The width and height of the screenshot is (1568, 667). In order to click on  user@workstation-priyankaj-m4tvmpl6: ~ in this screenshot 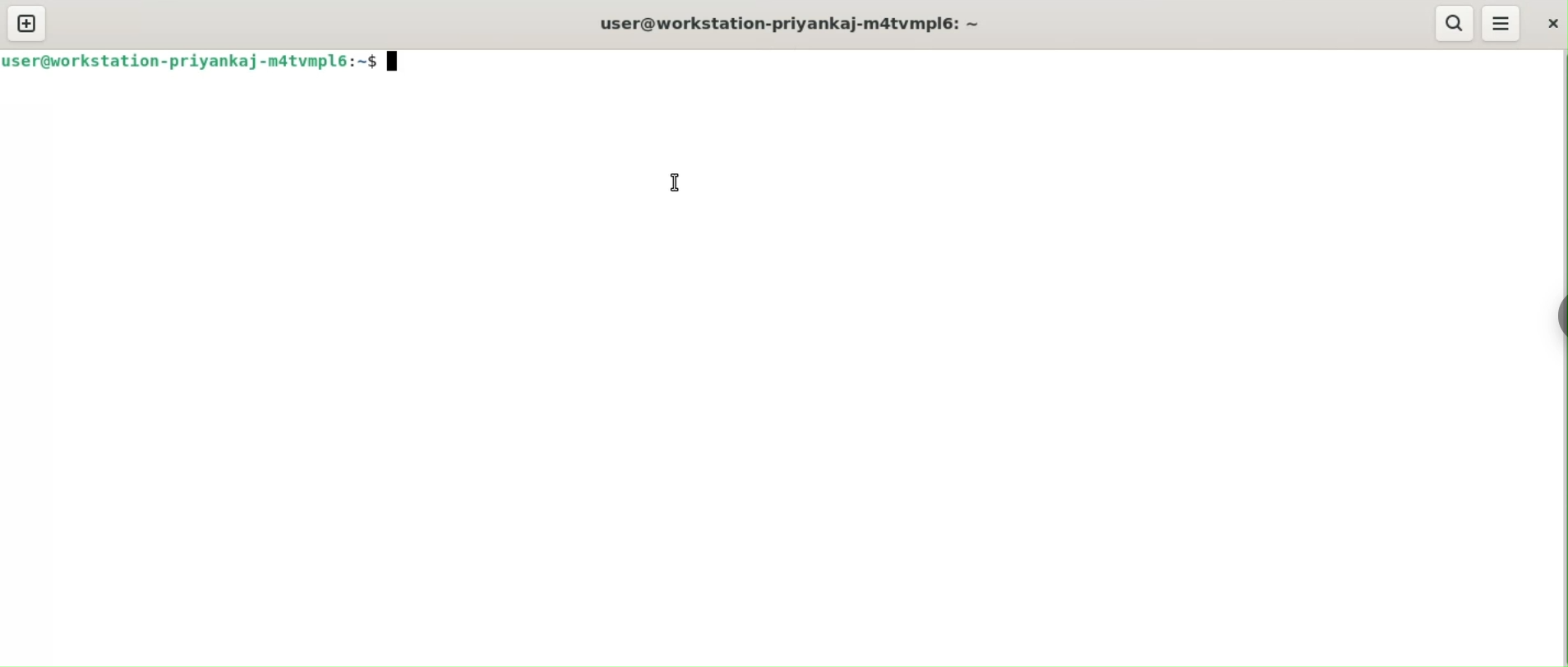, I will do `click(787, 22)`.